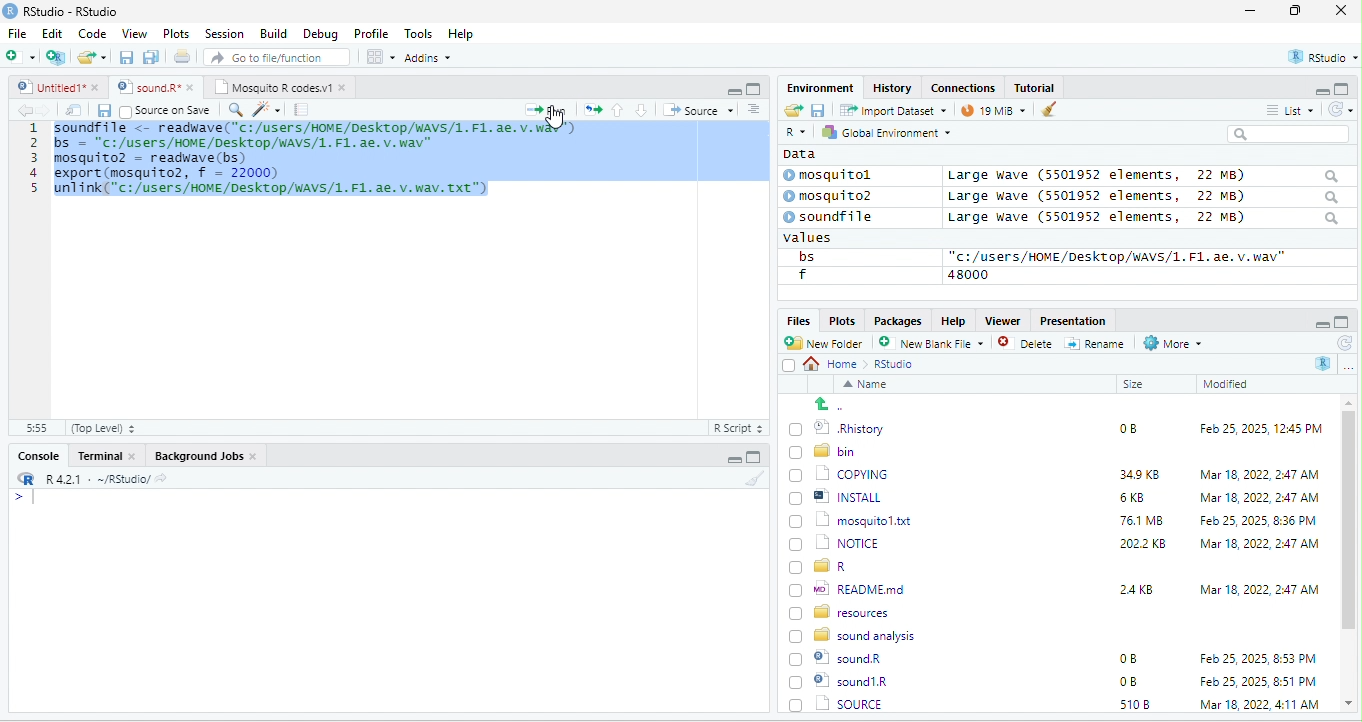 Image resolution: width=1362 pixels, height=722 pixels. Describe the element at coordinates (842, 320) in the screenshot. I see `Plots` at that location.